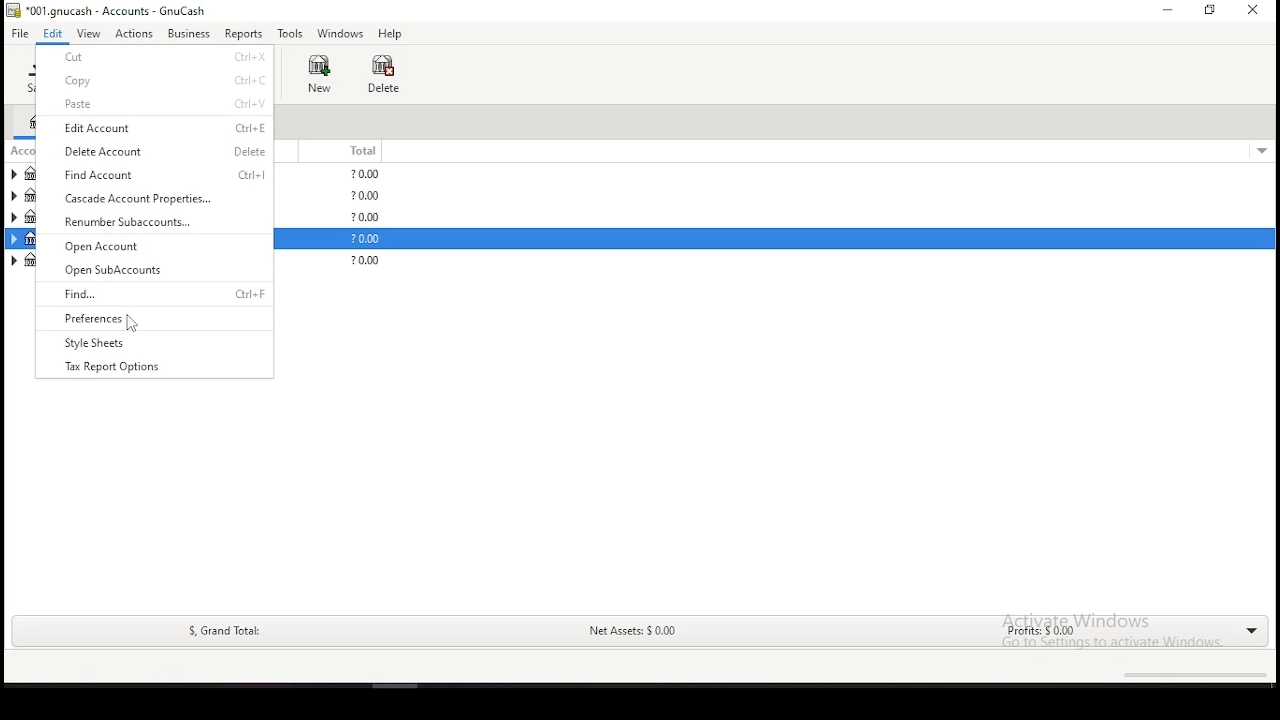 The image size is (1280, 720). What do you see at coordinates (367, 174) in the screenshot?
I see `? 0.00` at bounding box center [367, 174].